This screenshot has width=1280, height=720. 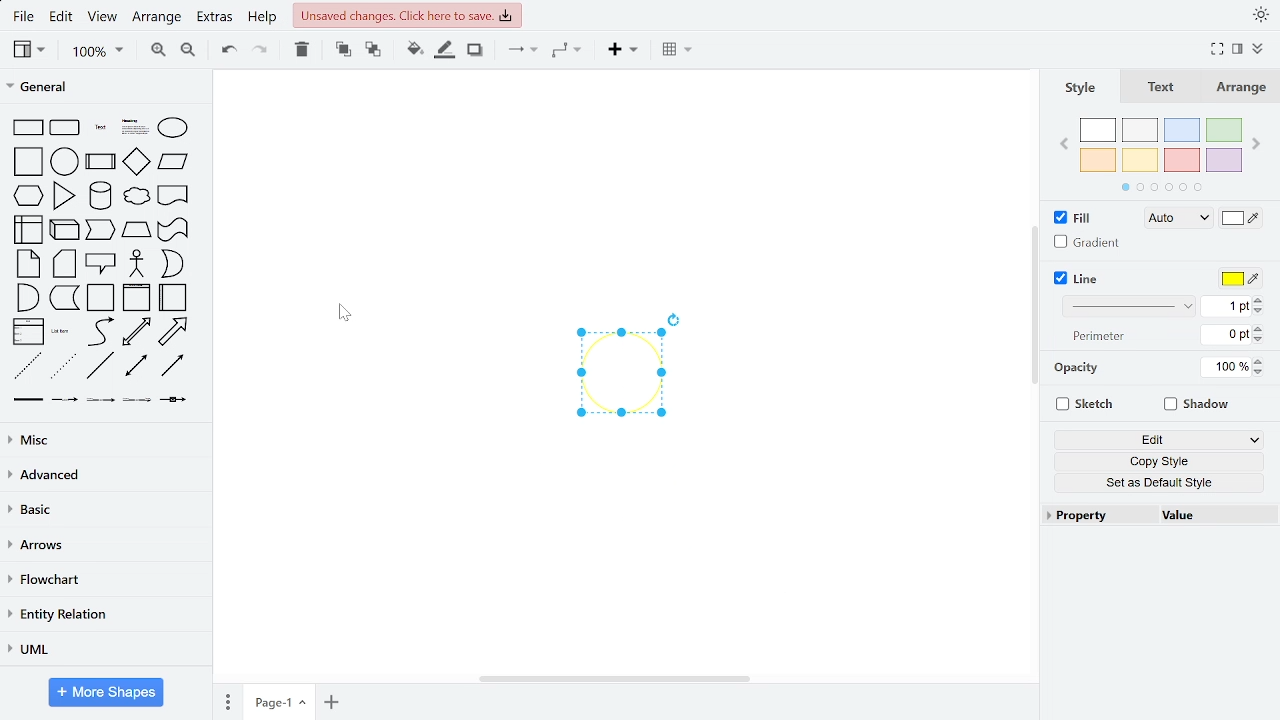 I want to click on bidirectional arrow, so click(x=135, y=333).